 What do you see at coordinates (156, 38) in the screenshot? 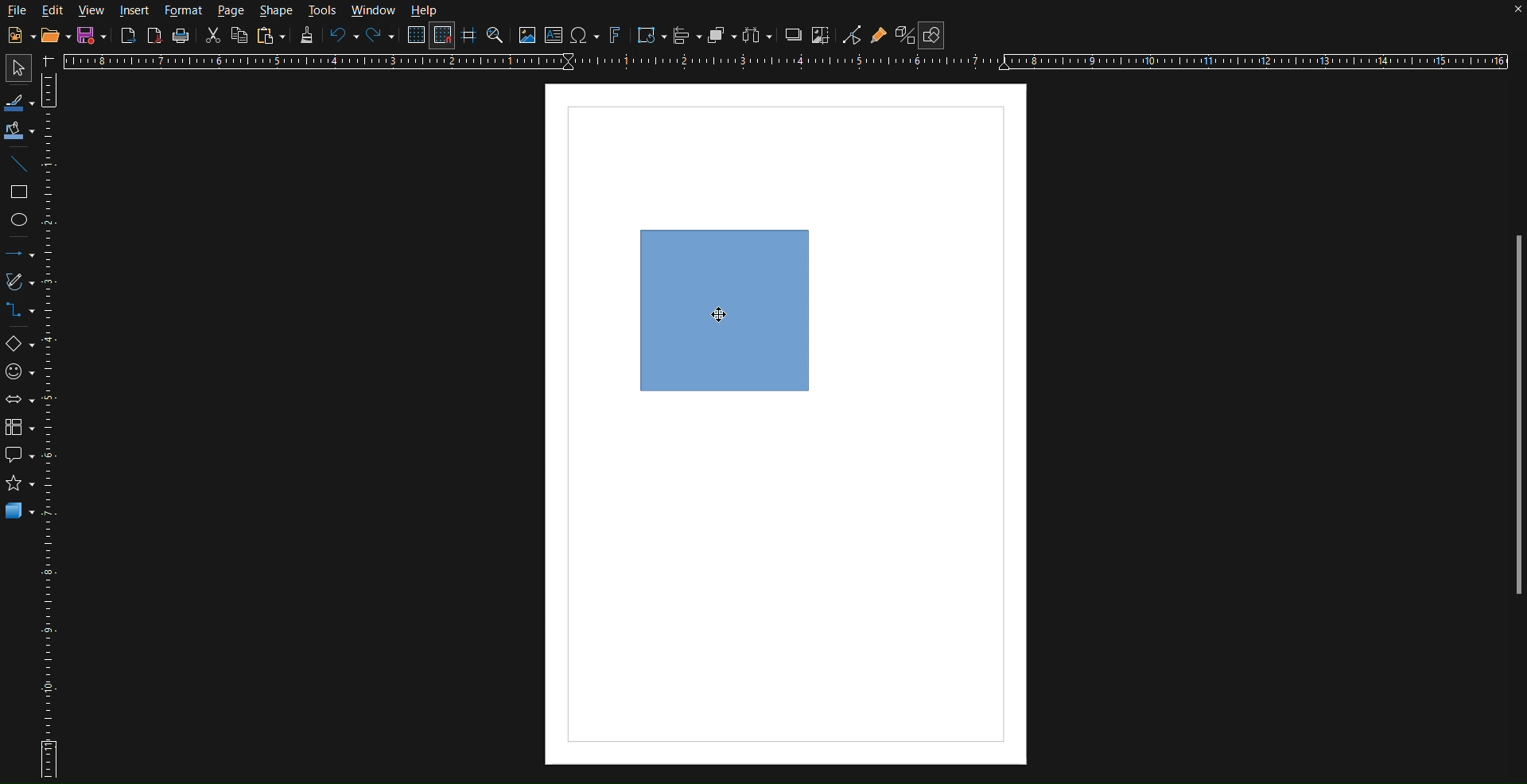
I see `Export as PDF` at bounding box center [156, 38].